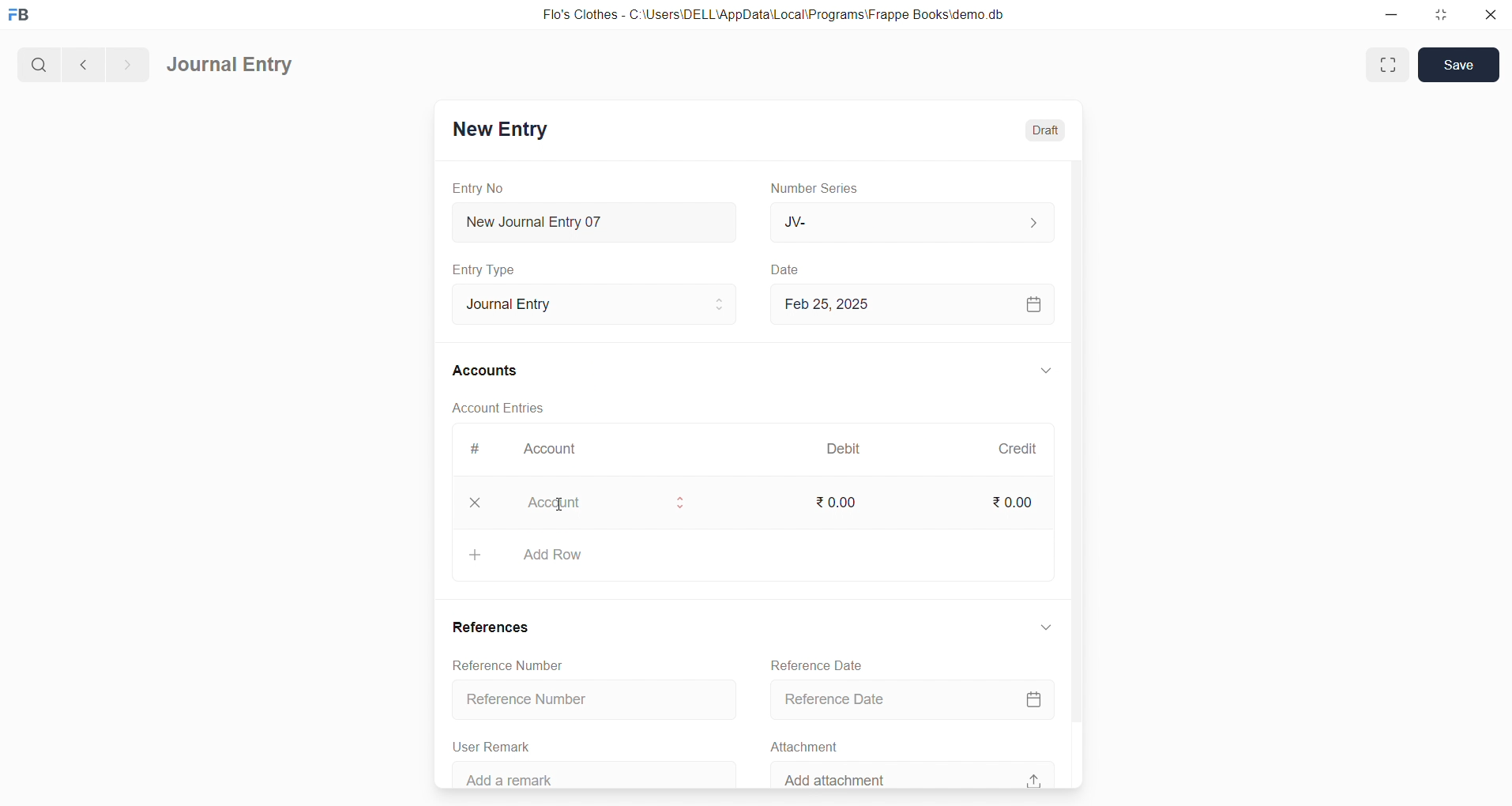 The image size is (1512, 806). What do you see at coordinates (37, 62) in the screenshot?
I see `search` at bounding box center [37, 62].